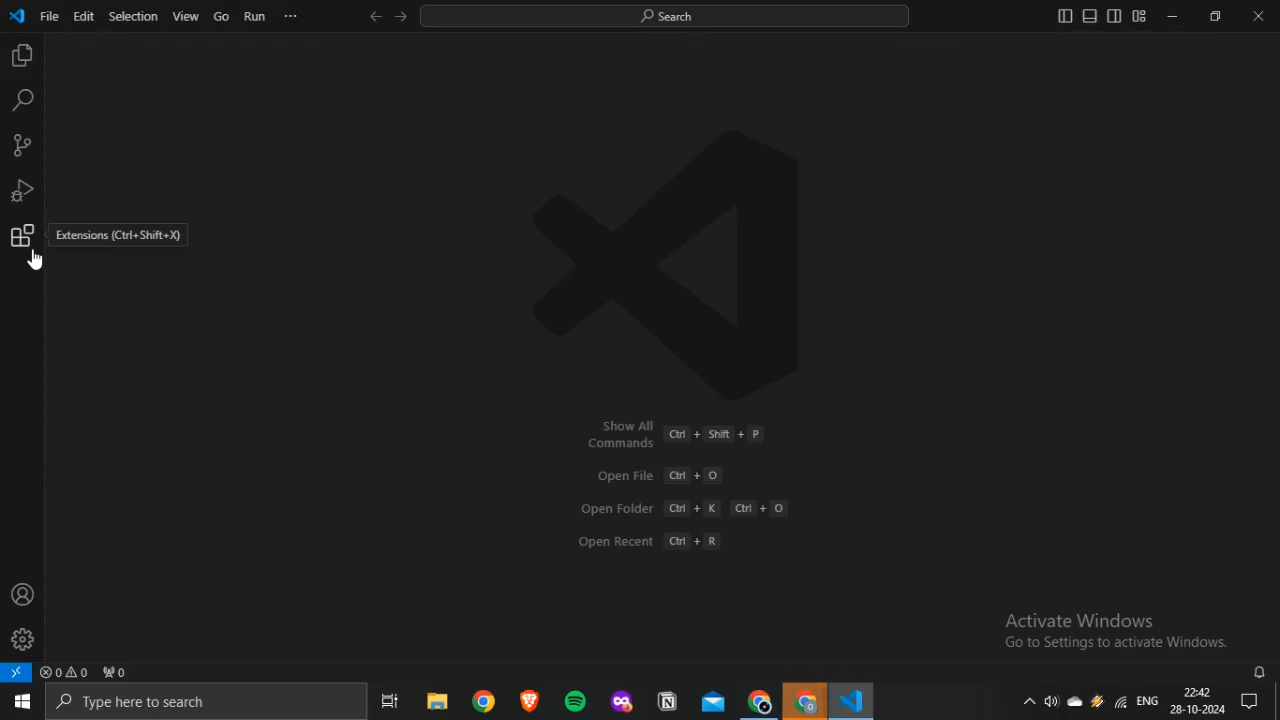  I want to click on Run, so click(255, 16).